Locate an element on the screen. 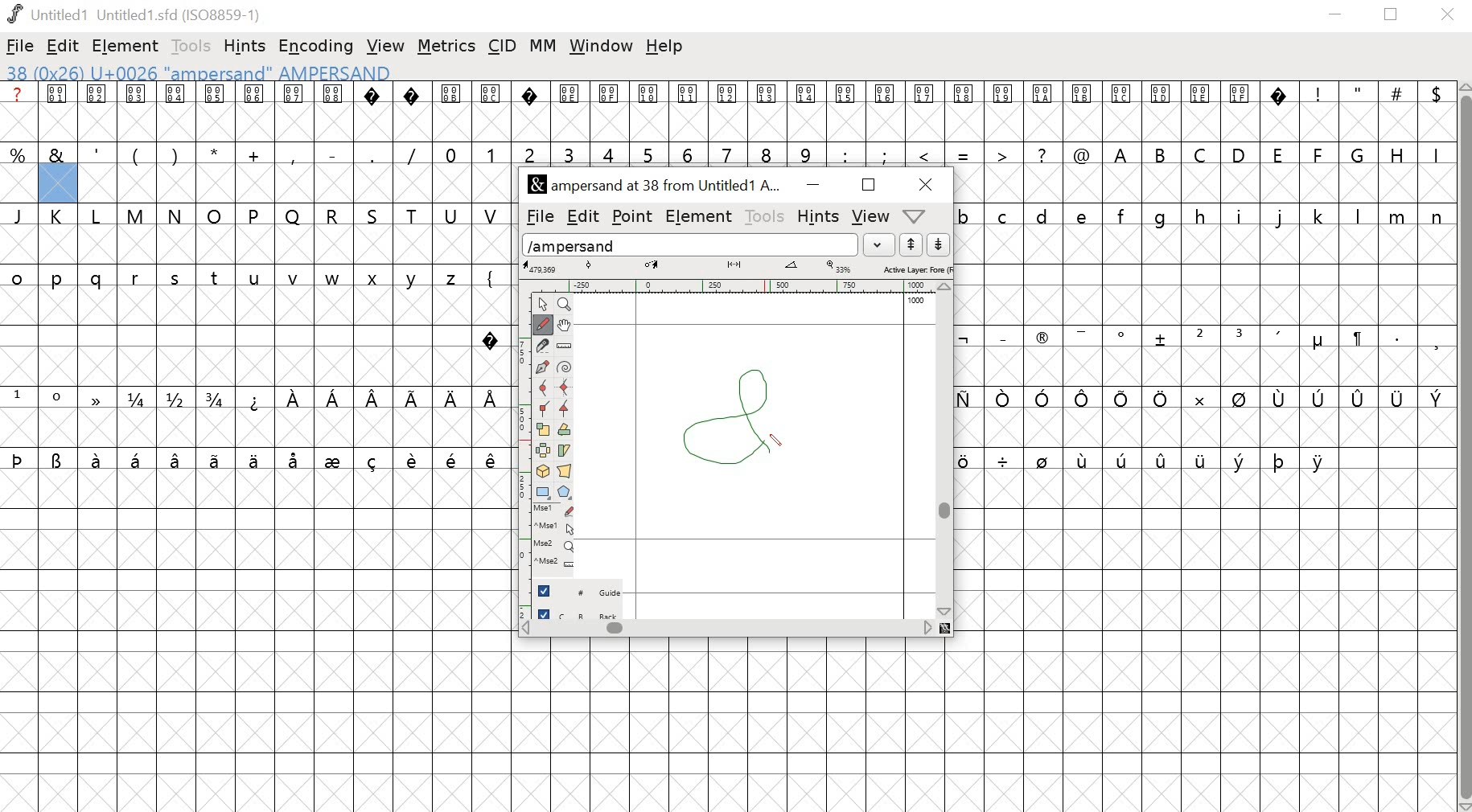 This screenshot has width=1472, height=812. q is located at coordinates (100, 280).